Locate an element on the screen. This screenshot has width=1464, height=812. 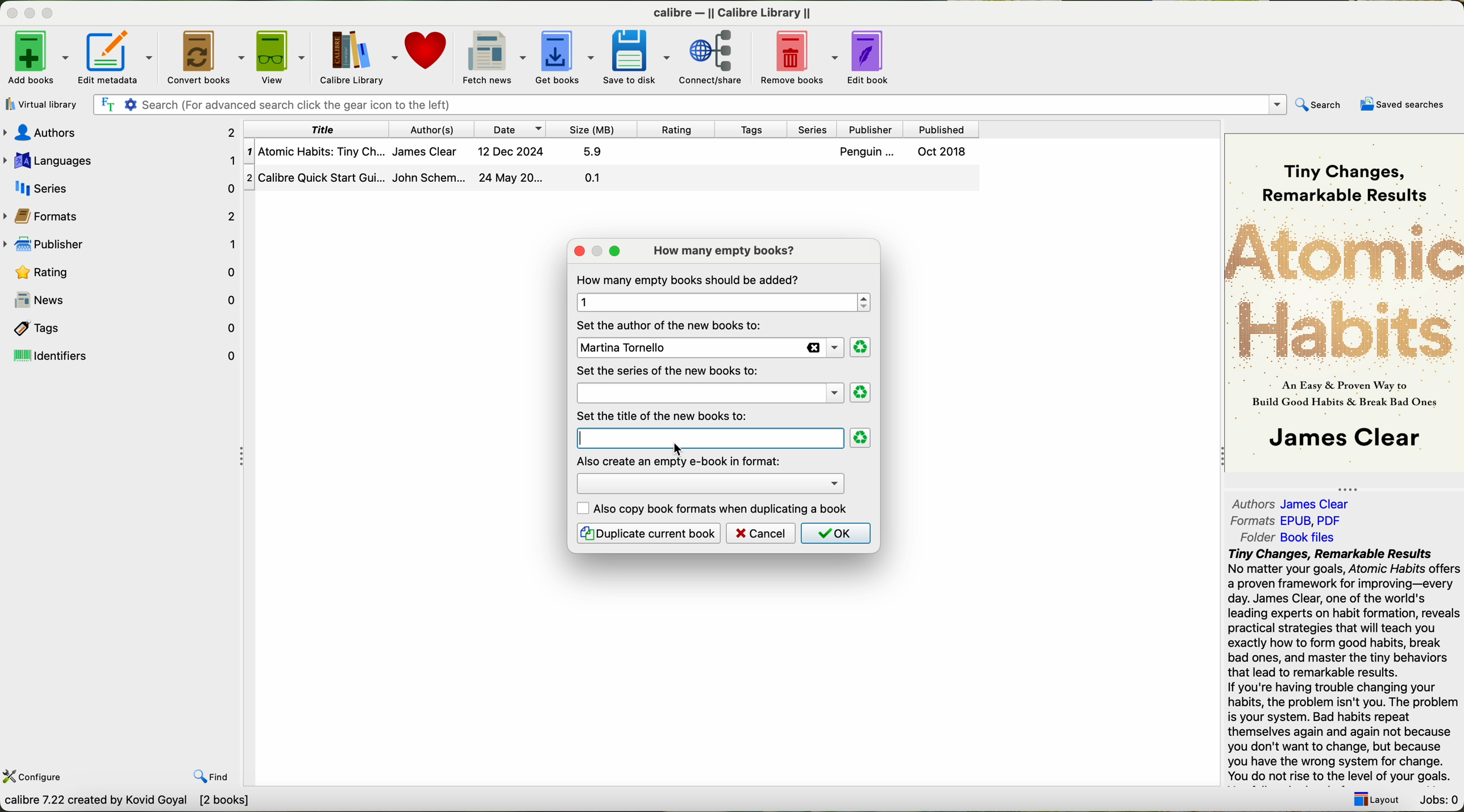
calibre library is located at coordinates (356, 56).